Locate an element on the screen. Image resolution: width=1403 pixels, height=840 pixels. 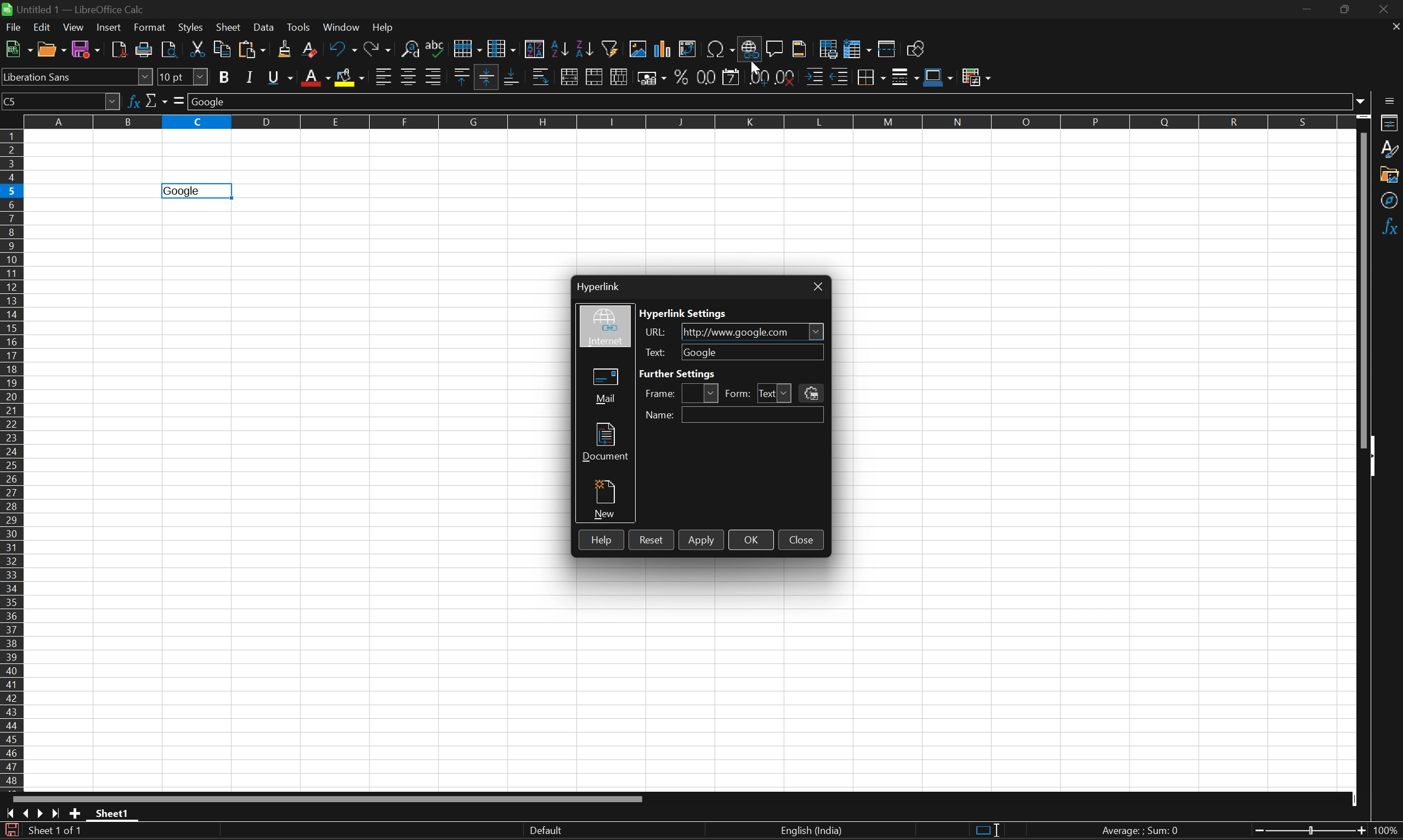
Hide is located at coordinates (1376, 457).